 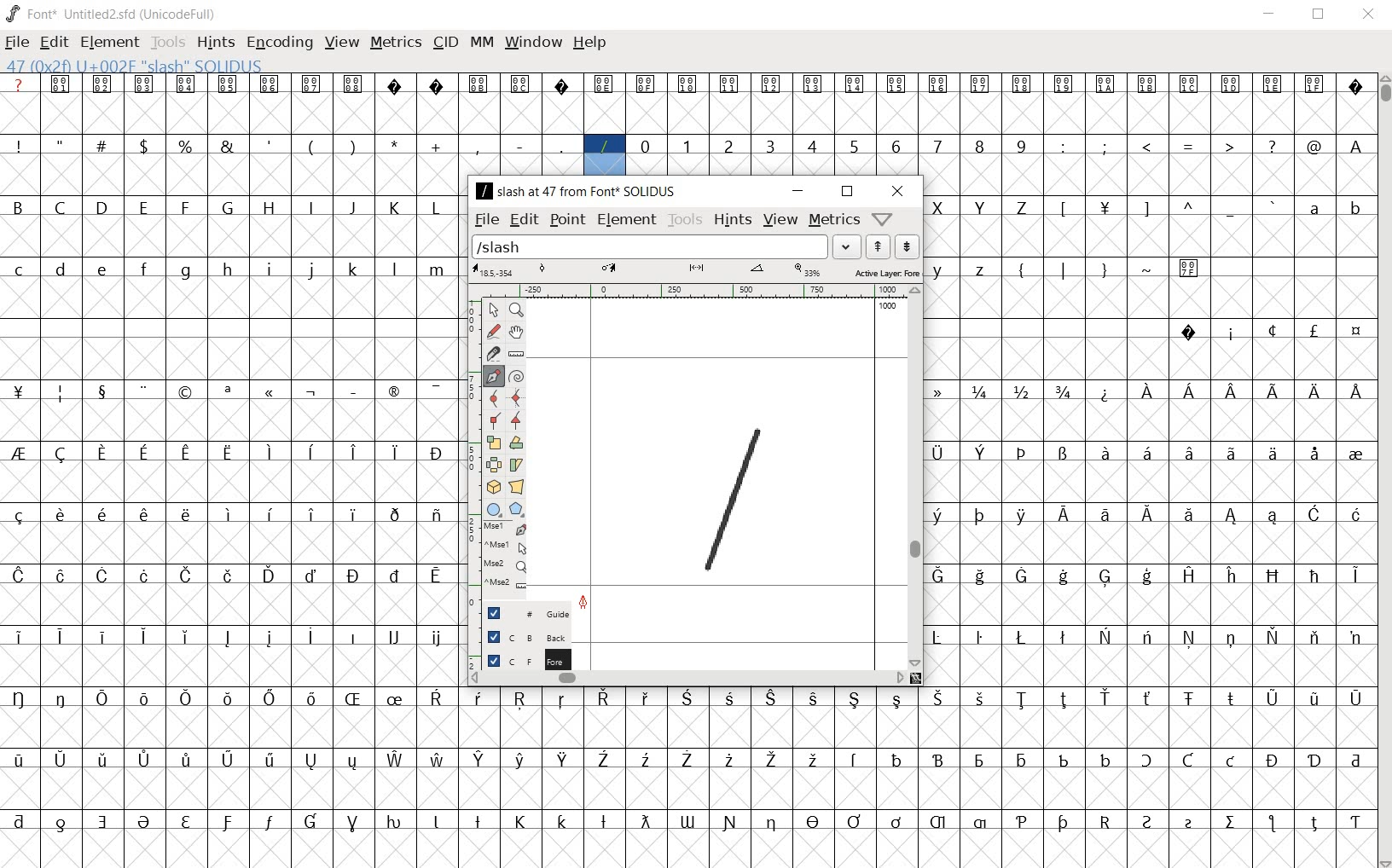 What do you see at coordinates (1106, 269) in the screenshot?
I see `symbols` at bounding box center [1106, 269].